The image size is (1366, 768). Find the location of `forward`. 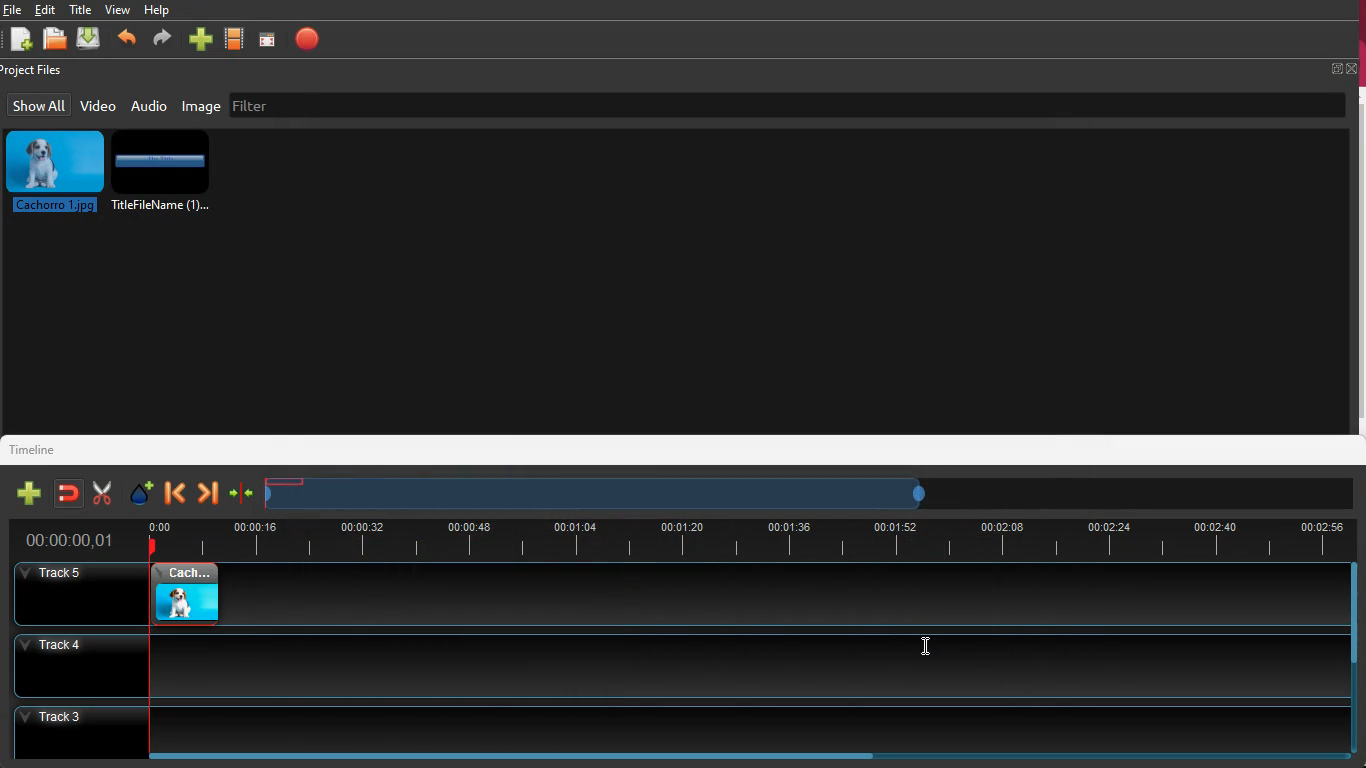

forward is located at coordinates (160, 41).